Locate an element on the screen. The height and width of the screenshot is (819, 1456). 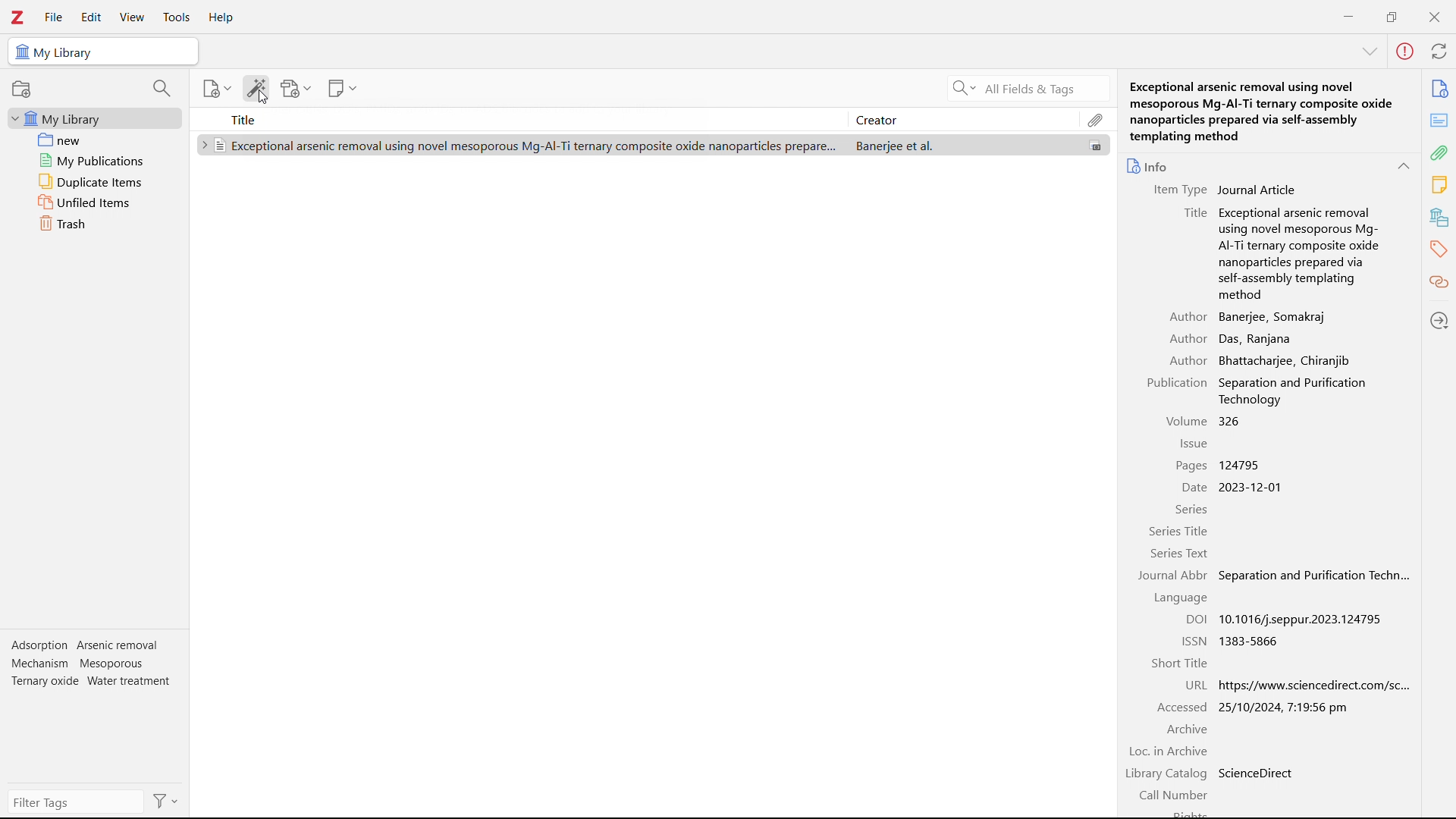
Series text is located at coordinates (1179, 554).